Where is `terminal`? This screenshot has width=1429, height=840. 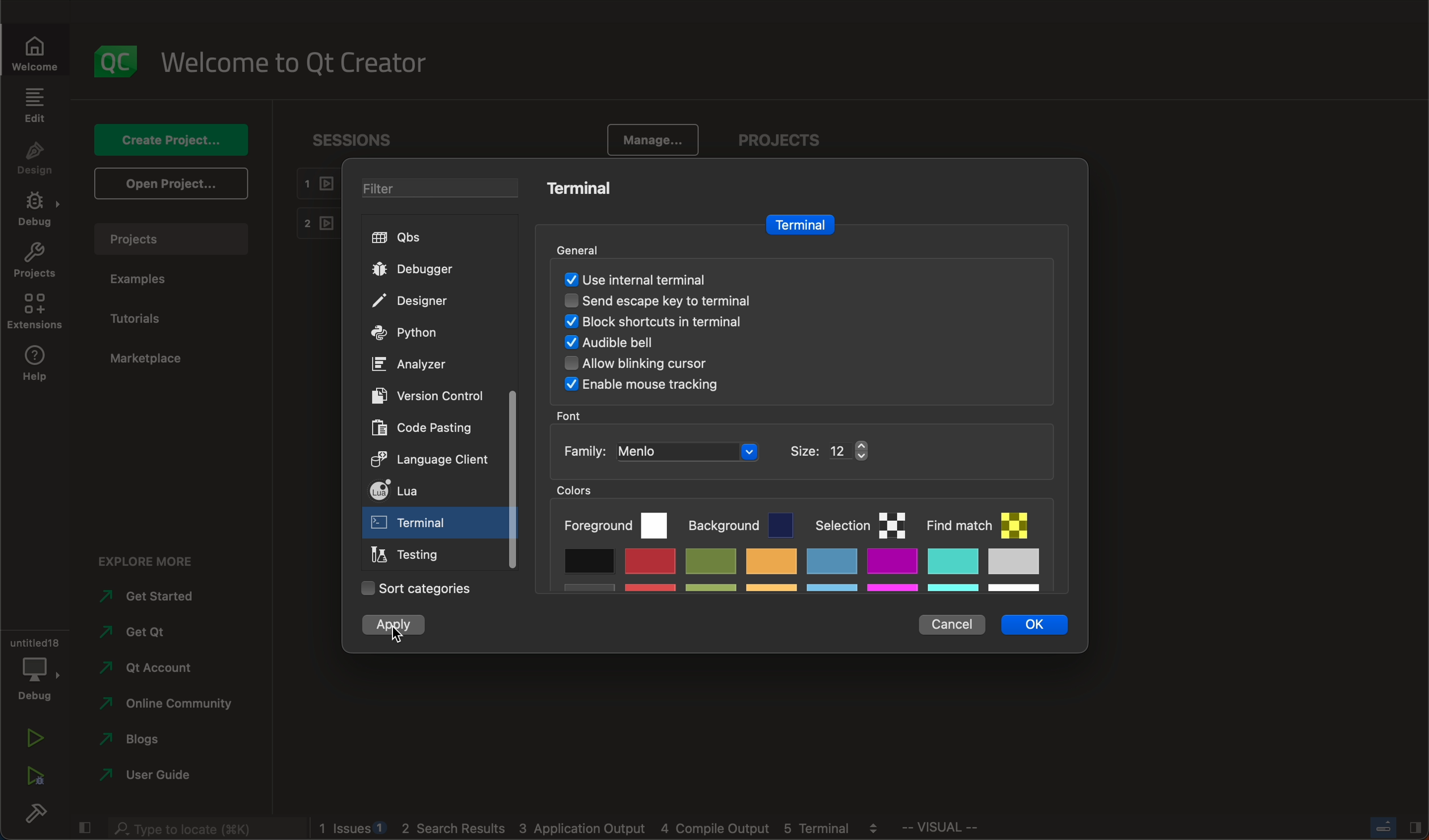 terminal is located at coordinates (799, 223).